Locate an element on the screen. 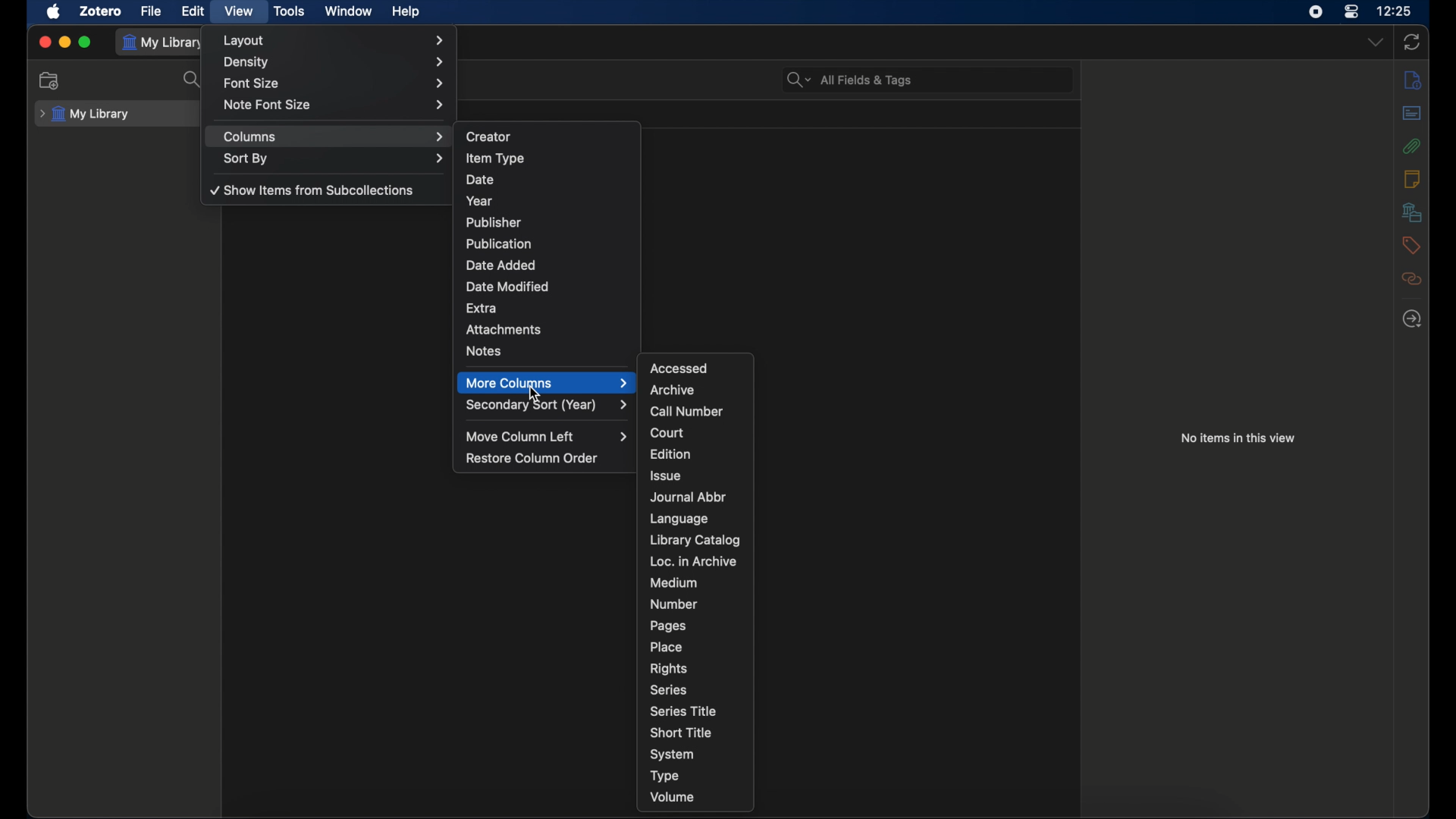  loc. in archive is located at coordinates (692, 562).